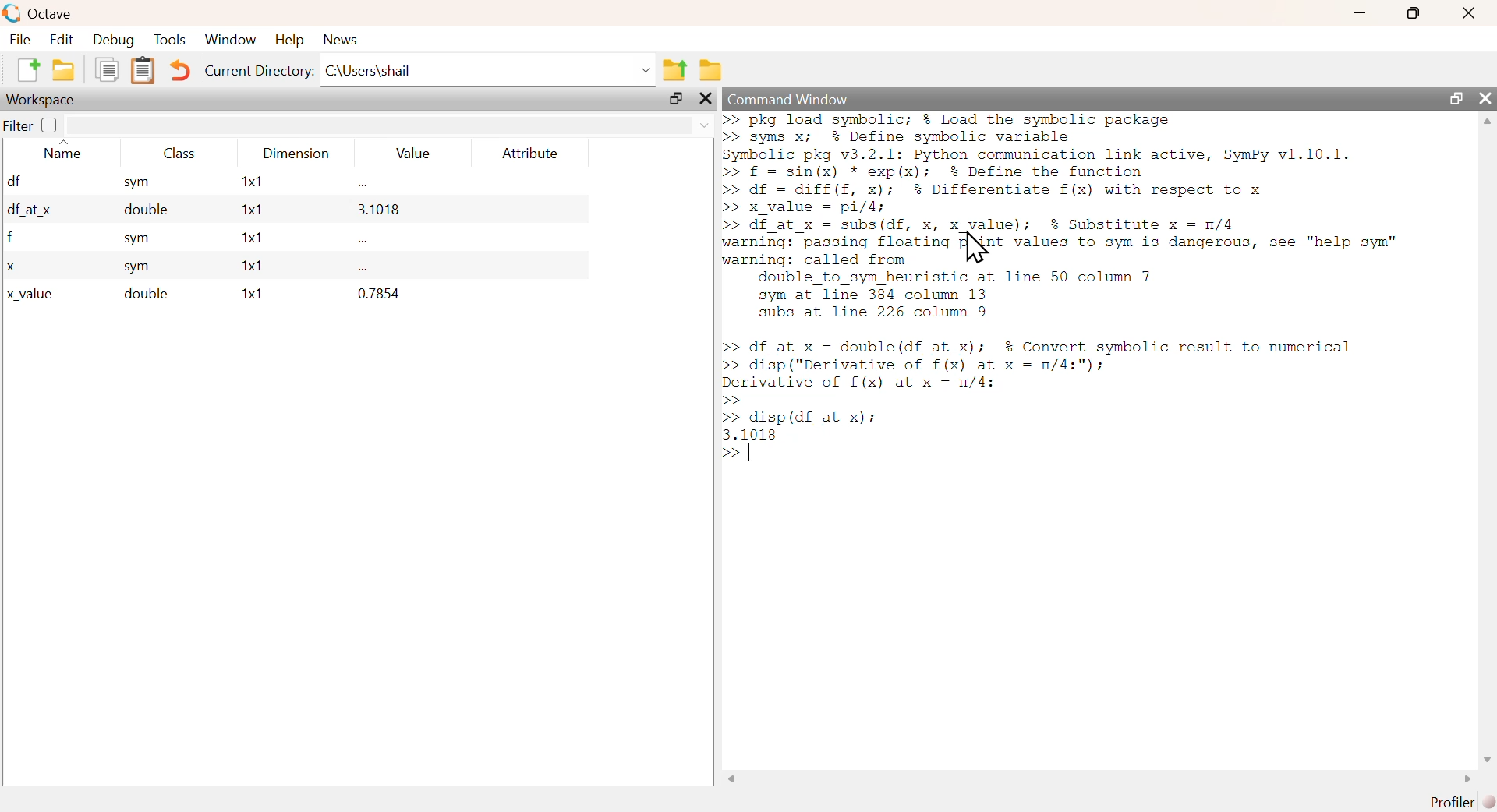 Image resolution: width=1497 pixels, height=812 pixels. Describe the element at coordinates (1413, 14) in the screenshot. I see `maximize` at that location.